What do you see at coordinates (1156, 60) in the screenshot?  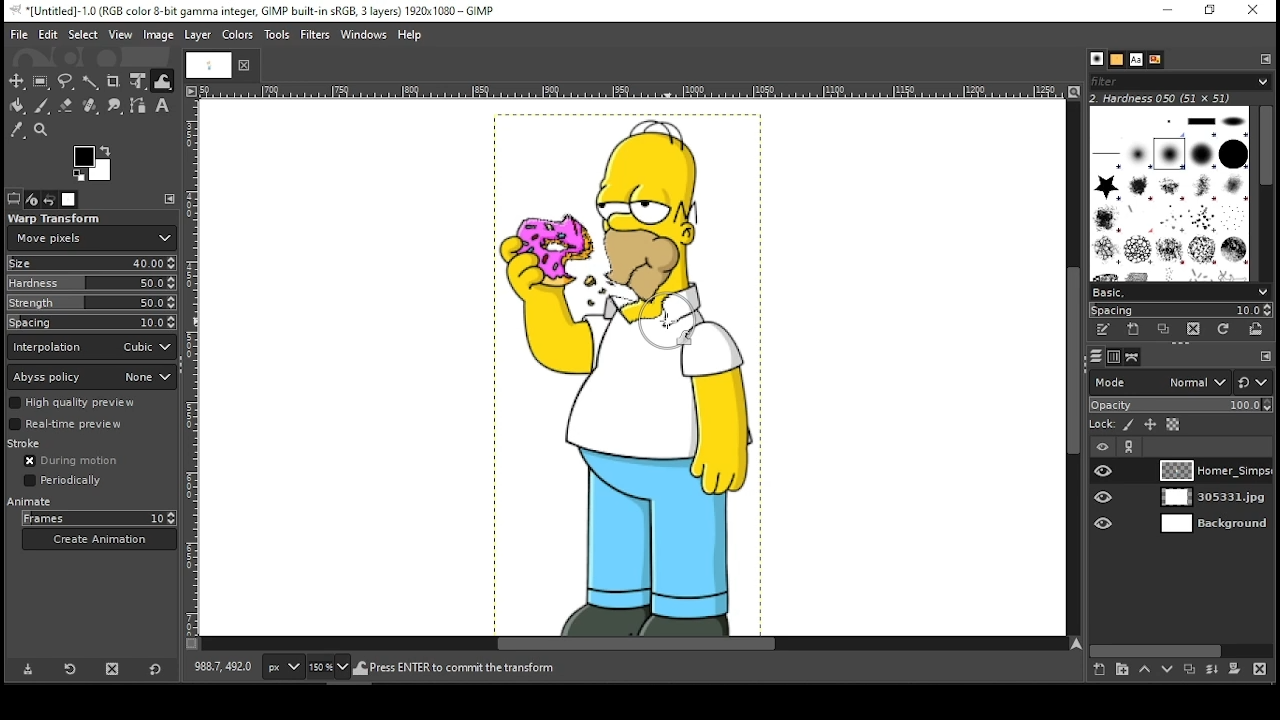 I see `document history` at bounding box center [1156, 60].